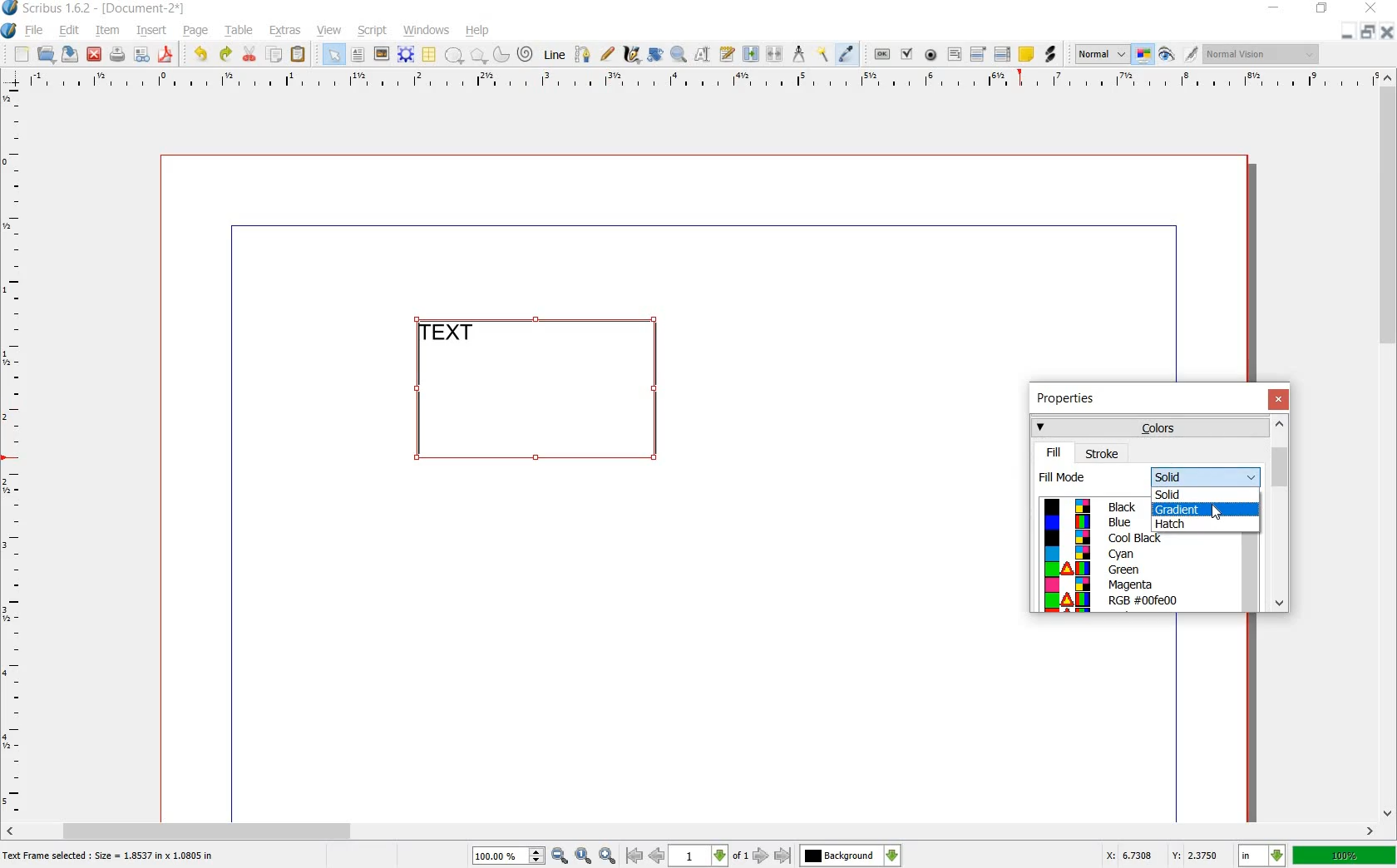  Describe the element at coordinates (1002, 53) in the screenshot. I see `pdf list box` at that location.